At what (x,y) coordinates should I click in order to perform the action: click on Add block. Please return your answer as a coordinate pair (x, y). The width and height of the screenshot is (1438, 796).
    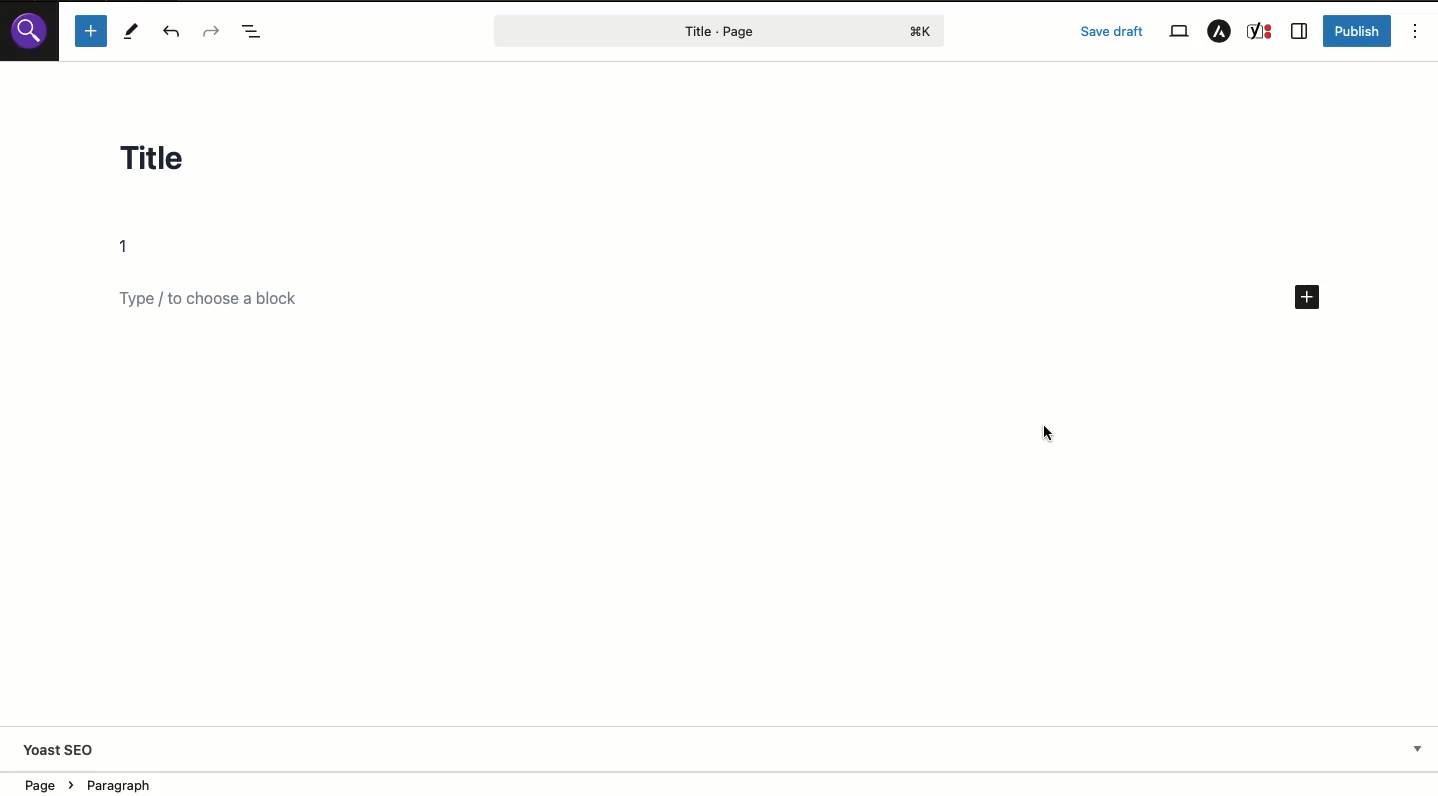
    Looking at the image, I should click on (226, 300).